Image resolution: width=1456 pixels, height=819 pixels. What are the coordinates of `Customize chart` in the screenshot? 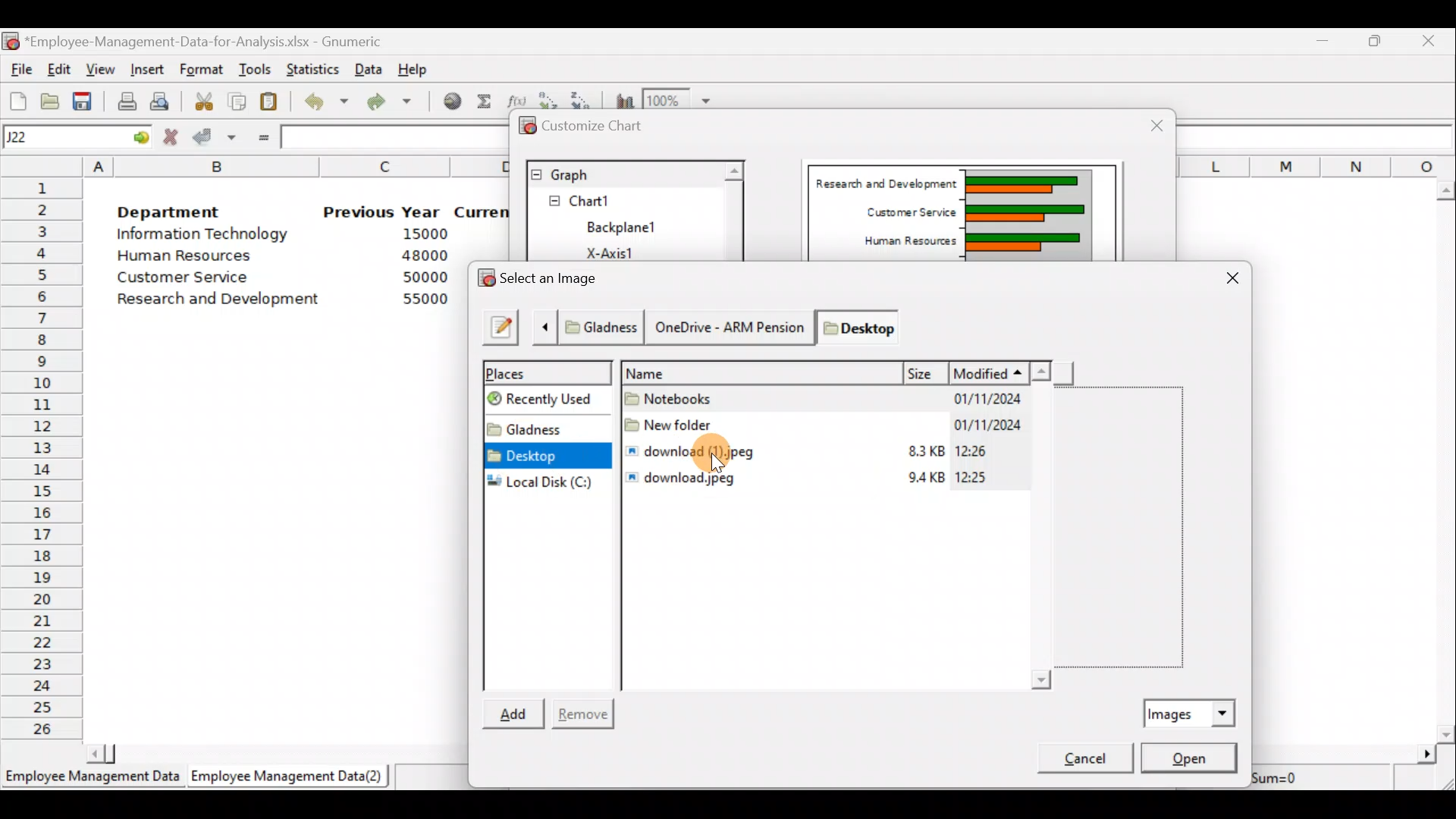 It's located at (591, 127).